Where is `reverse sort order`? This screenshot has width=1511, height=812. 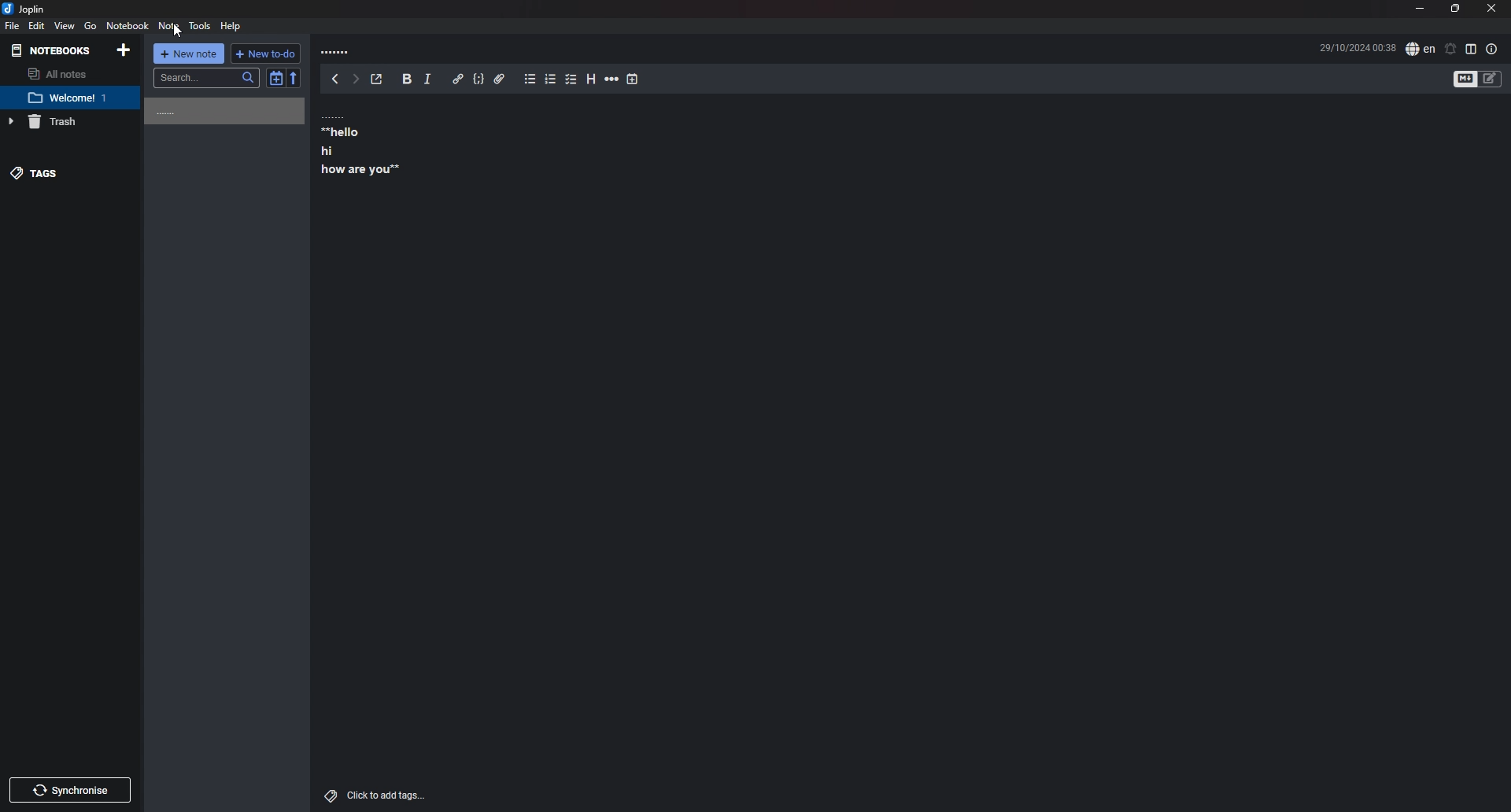
reverse sort order is located at coordinates (292, 77).